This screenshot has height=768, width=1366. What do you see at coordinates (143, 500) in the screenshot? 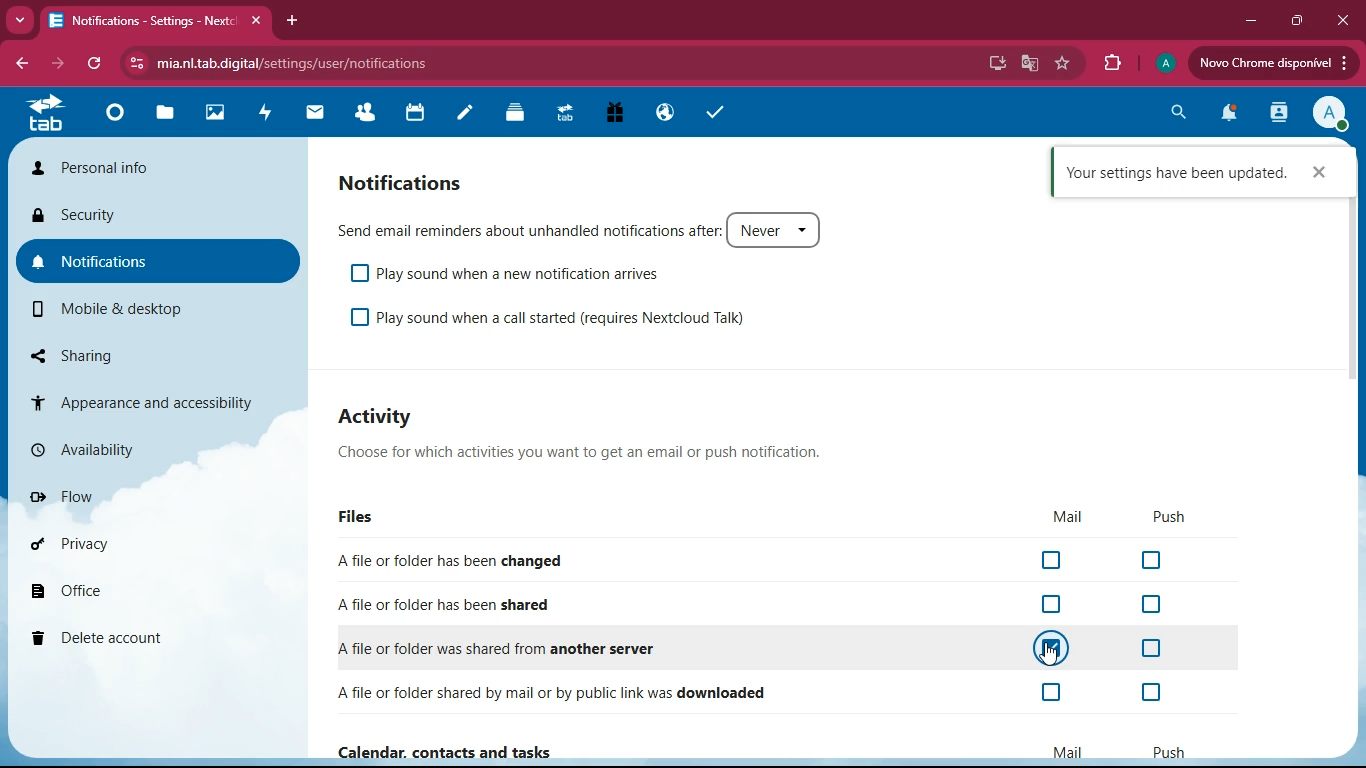
I see `flow` at bounding box center [143, 500].